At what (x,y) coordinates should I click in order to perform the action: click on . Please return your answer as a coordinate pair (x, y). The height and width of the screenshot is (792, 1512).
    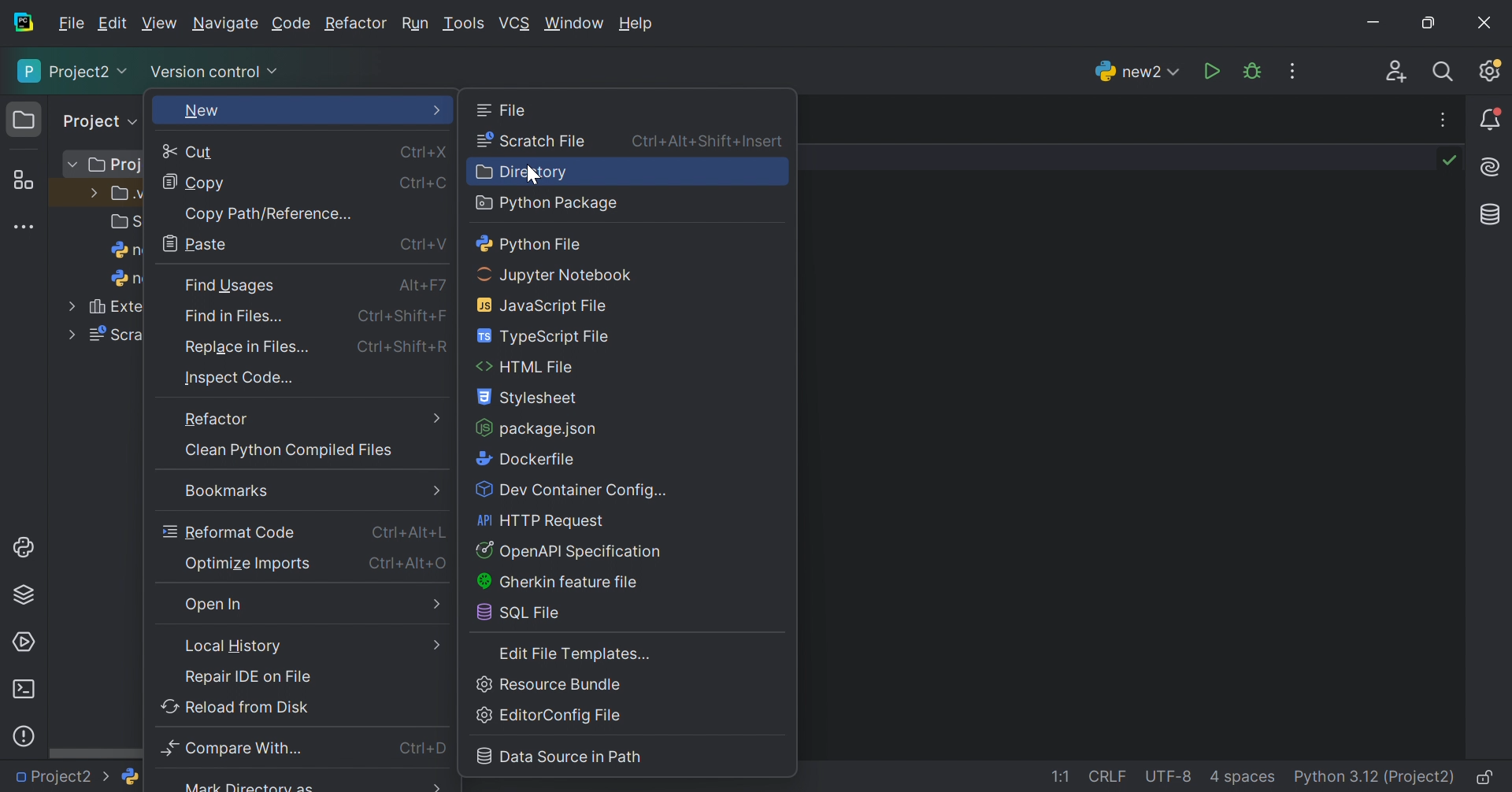
    Looking at the image, I should click on (529, 459).